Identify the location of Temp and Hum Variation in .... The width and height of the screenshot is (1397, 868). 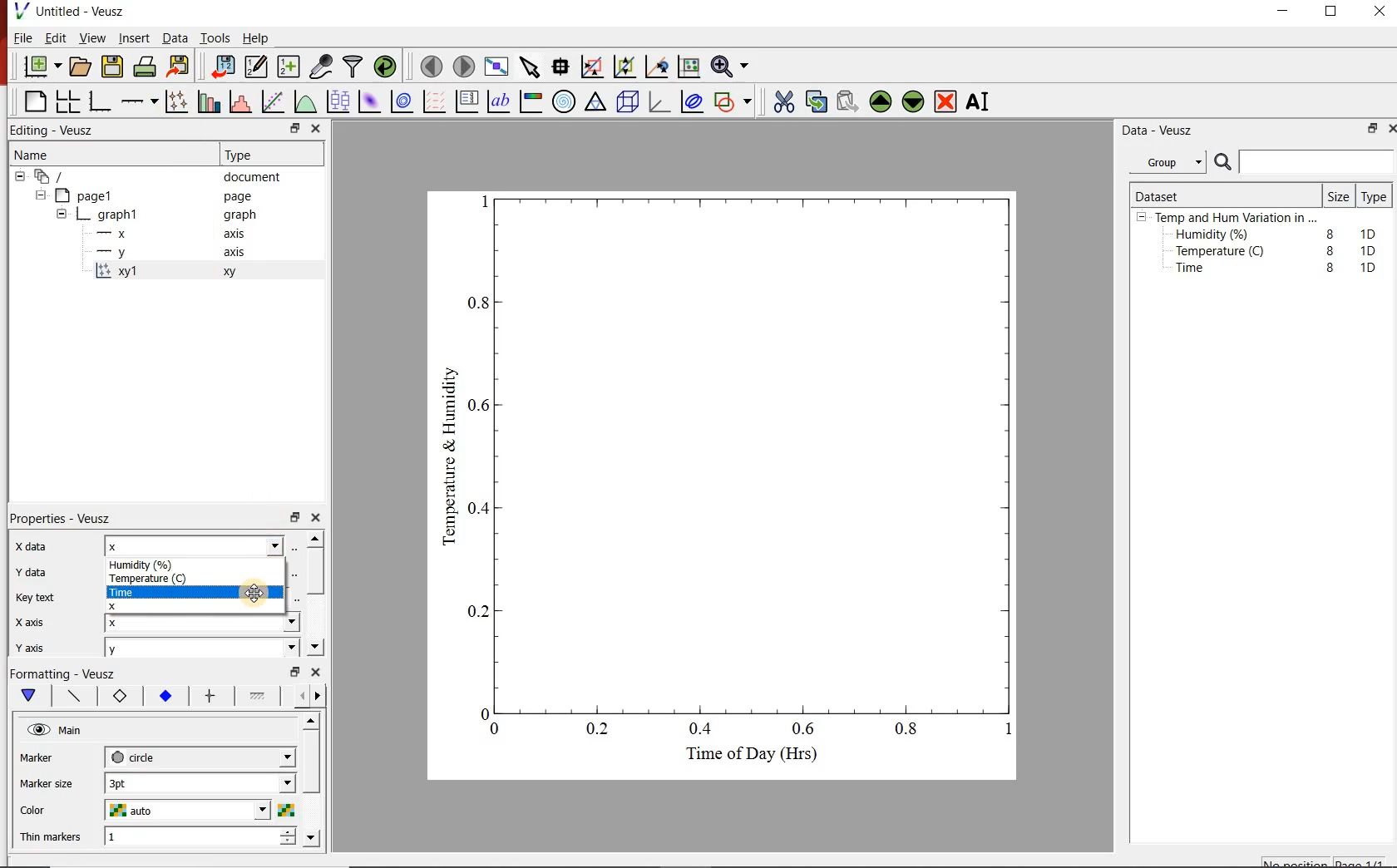
(1236, 218).